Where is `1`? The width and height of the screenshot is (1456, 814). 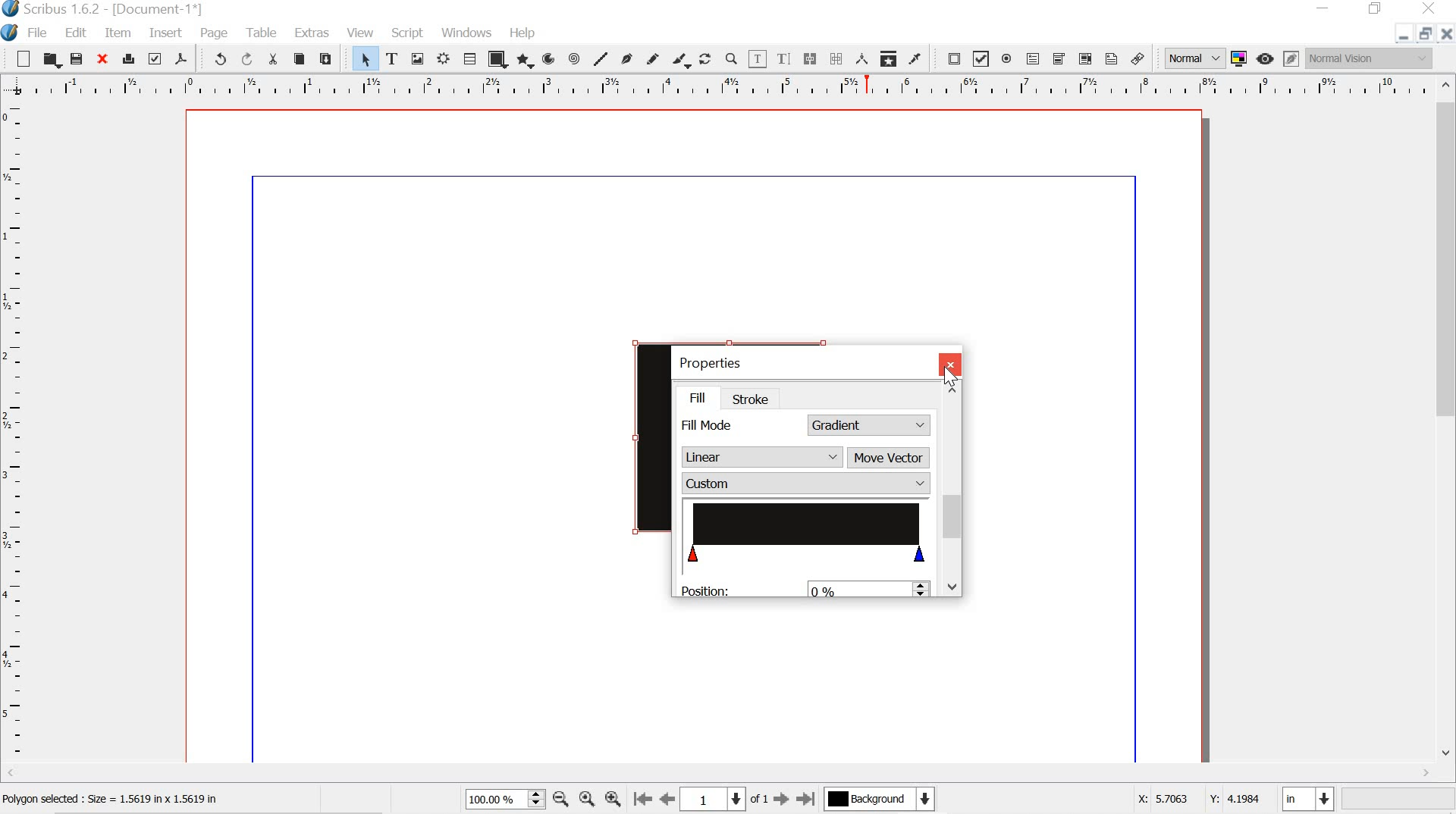 1 is located at coordinates (717, 798).